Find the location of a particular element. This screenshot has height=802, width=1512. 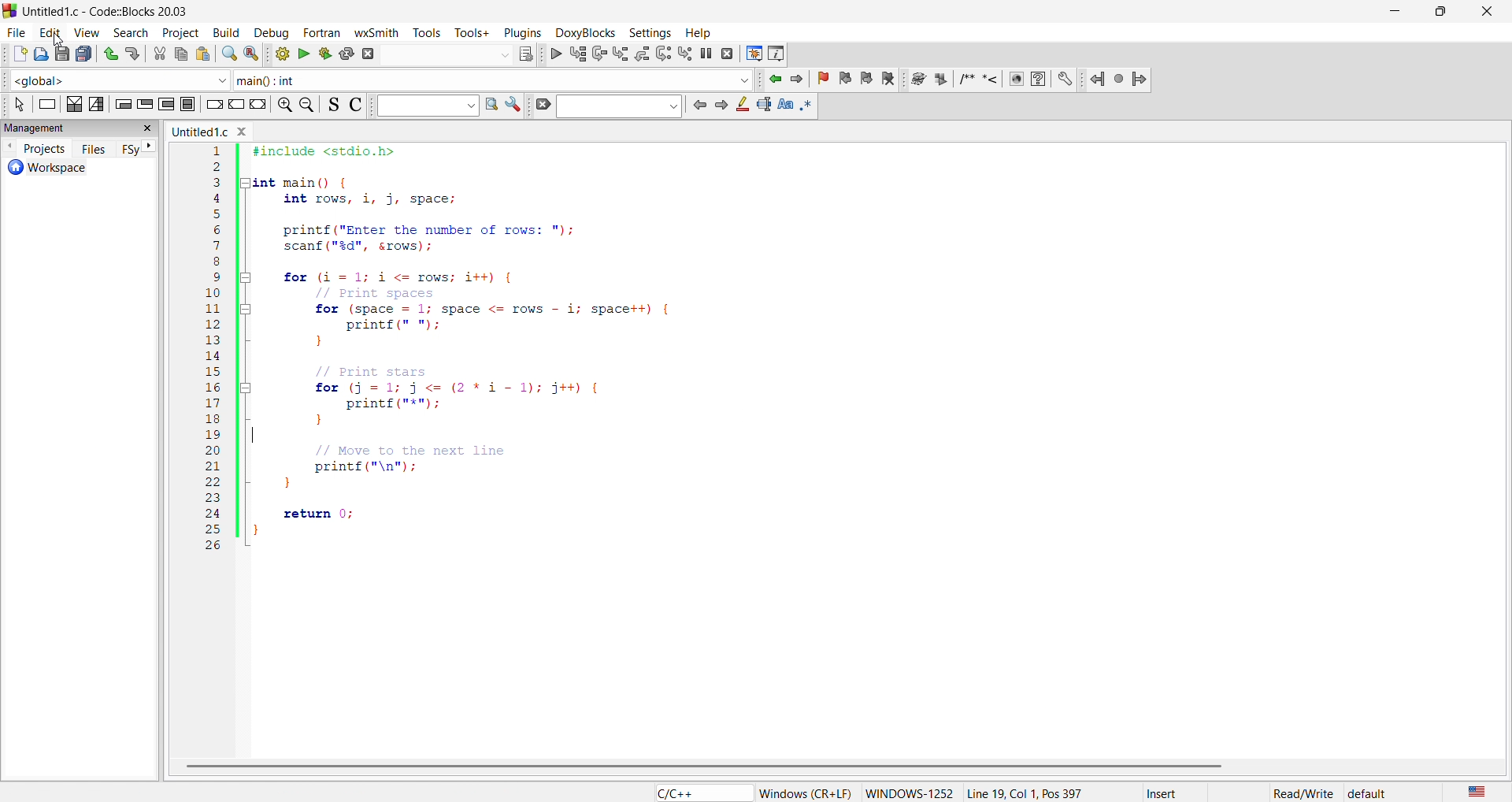

workspace is located at coordinates (72, 169).